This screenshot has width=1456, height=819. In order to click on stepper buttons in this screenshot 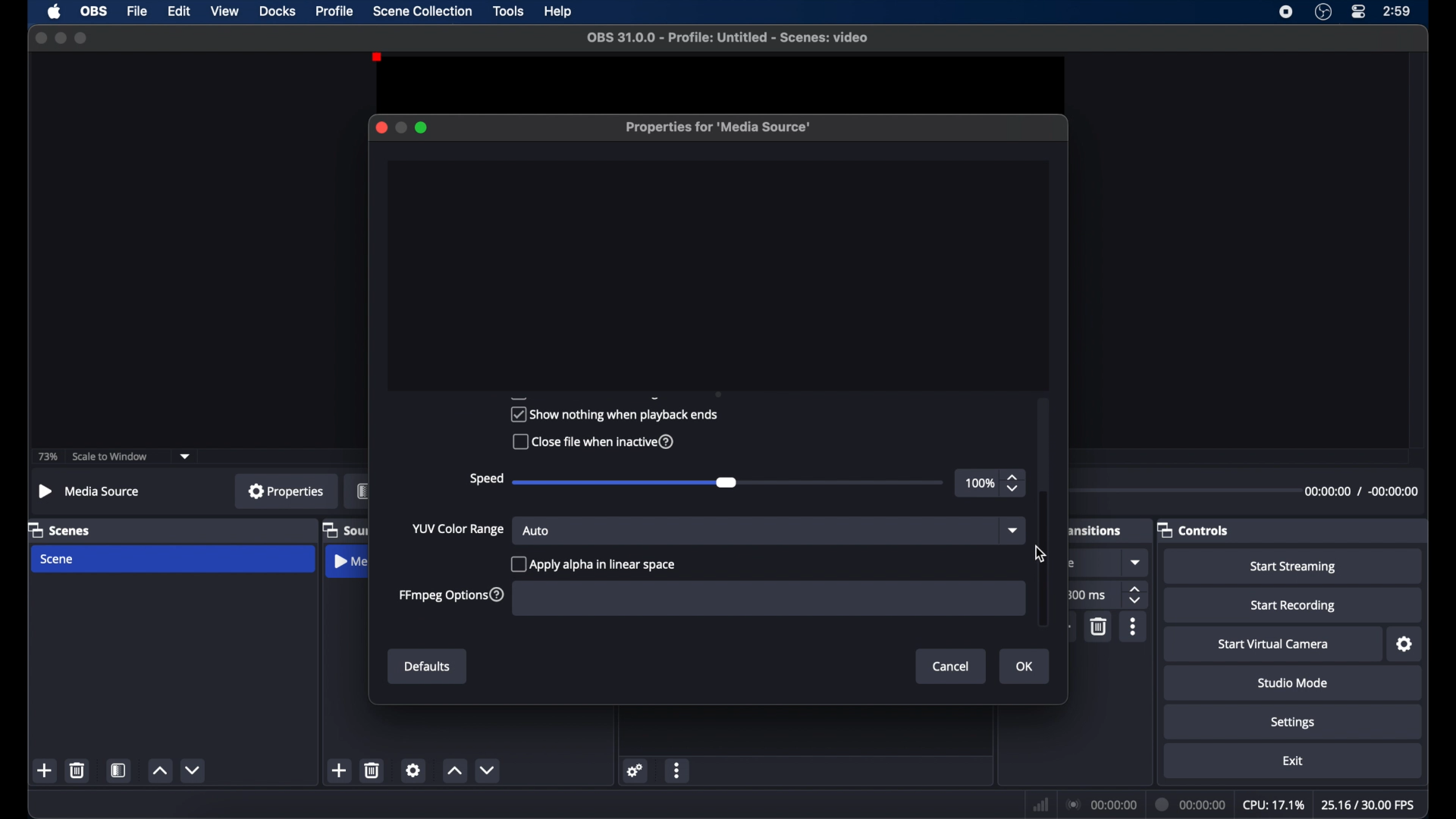, I will do `click(1013, 483)`.